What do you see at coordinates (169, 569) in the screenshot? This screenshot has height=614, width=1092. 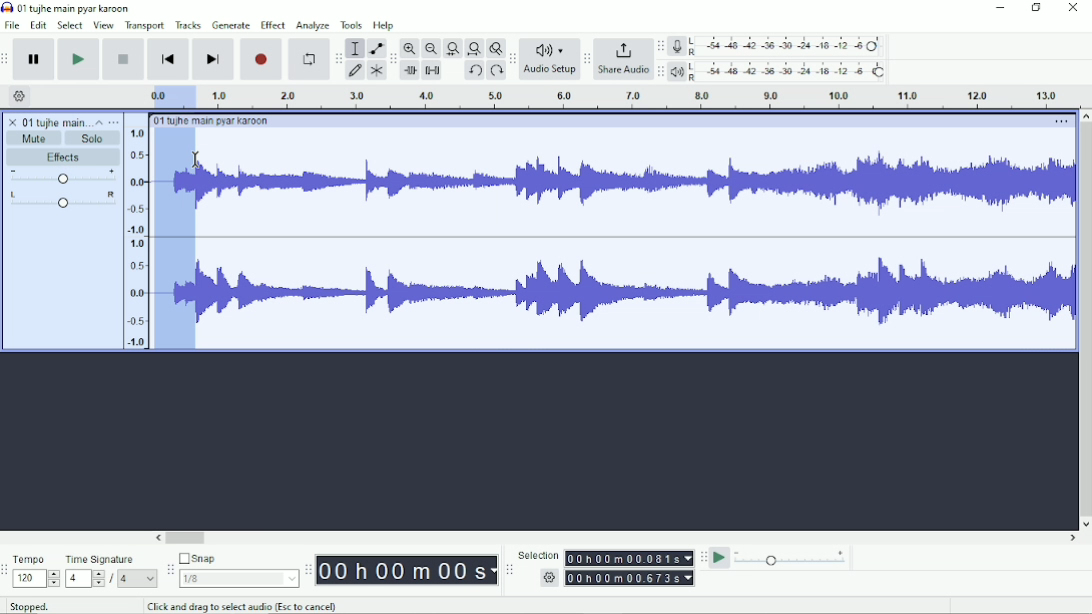 I see `Audacity snapping toolbar` at bounding box center [169, 569].